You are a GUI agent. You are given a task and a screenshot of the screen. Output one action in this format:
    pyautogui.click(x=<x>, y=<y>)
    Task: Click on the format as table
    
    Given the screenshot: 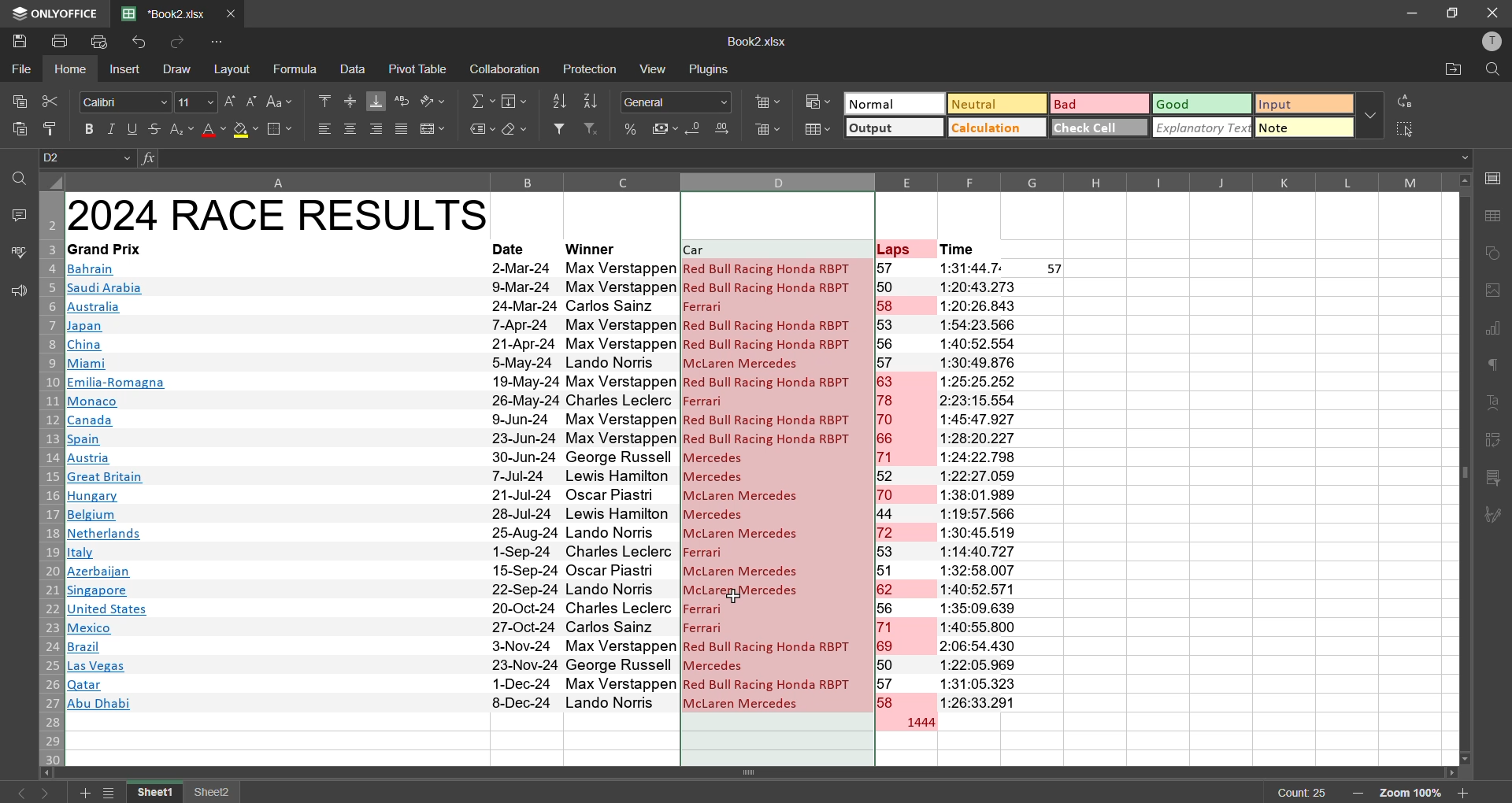 What is the action you would take?
    pyautogui.click(x=819, y=131)
    